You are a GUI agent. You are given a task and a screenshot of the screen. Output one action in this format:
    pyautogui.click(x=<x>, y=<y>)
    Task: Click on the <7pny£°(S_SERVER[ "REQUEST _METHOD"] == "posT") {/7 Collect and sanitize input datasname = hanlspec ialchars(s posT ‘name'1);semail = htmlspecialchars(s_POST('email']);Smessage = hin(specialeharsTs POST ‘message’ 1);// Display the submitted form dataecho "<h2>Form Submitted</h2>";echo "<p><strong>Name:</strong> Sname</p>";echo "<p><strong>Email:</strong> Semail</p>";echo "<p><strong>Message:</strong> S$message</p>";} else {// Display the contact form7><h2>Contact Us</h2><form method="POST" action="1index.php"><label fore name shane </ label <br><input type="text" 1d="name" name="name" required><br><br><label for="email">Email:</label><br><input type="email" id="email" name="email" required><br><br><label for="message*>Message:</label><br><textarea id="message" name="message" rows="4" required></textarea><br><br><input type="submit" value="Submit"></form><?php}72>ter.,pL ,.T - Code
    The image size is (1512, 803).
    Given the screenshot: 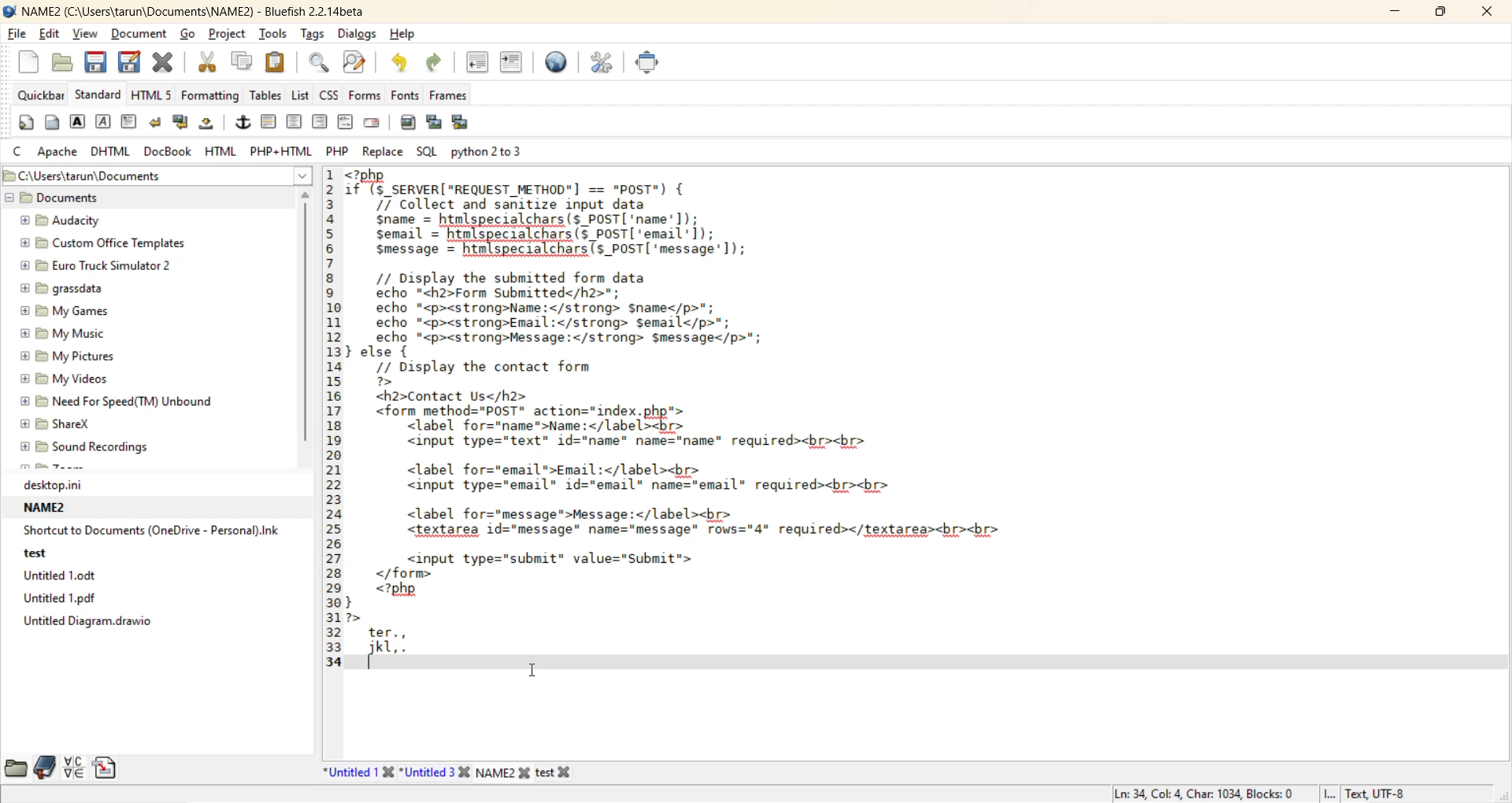 What is the action you would take?
    pyautogui.click(x=695, y=420)
    